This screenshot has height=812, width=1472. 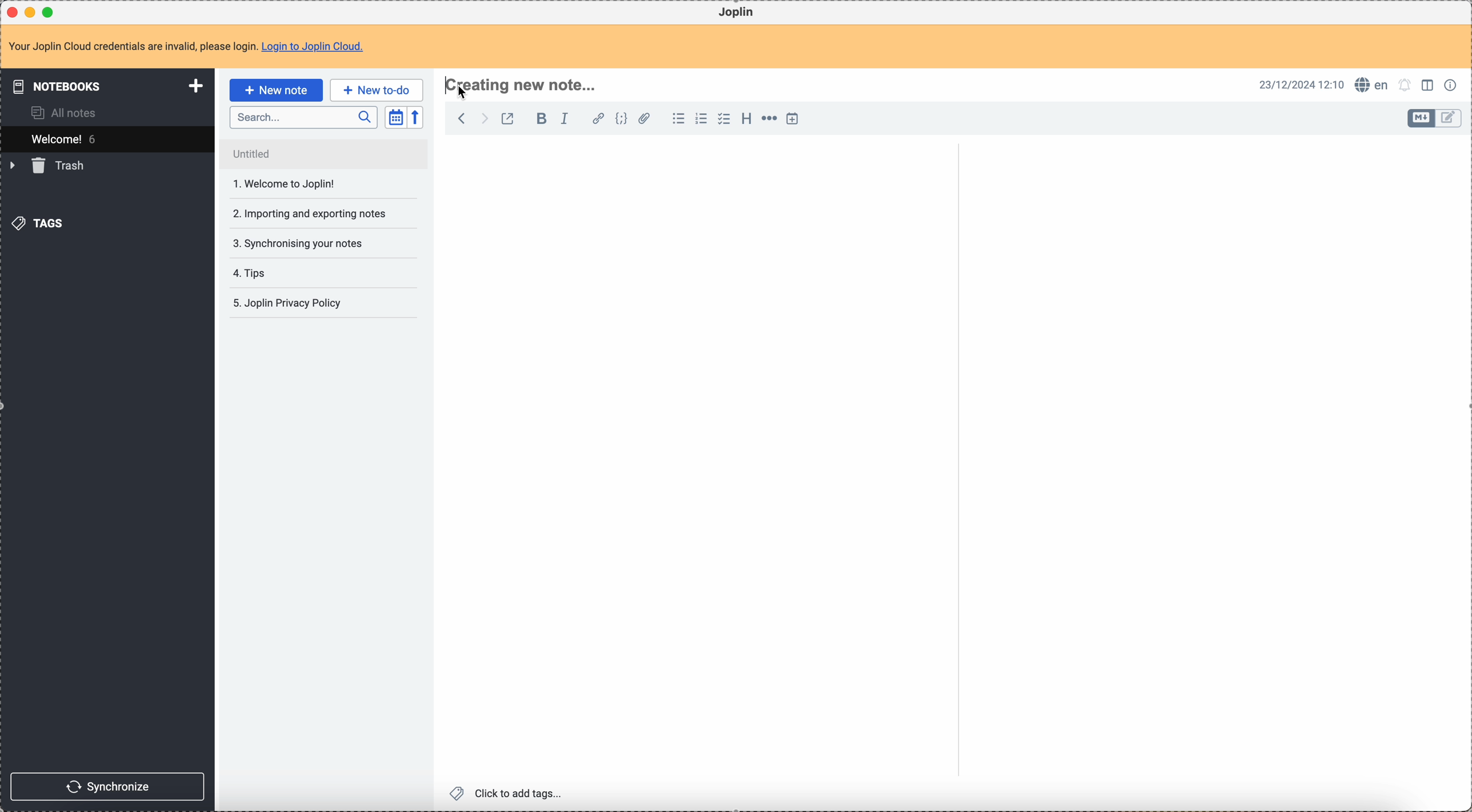 What do you see at coordinates (520, 86) in the screenshot?
I see `click` at bounding box center [520, 86].